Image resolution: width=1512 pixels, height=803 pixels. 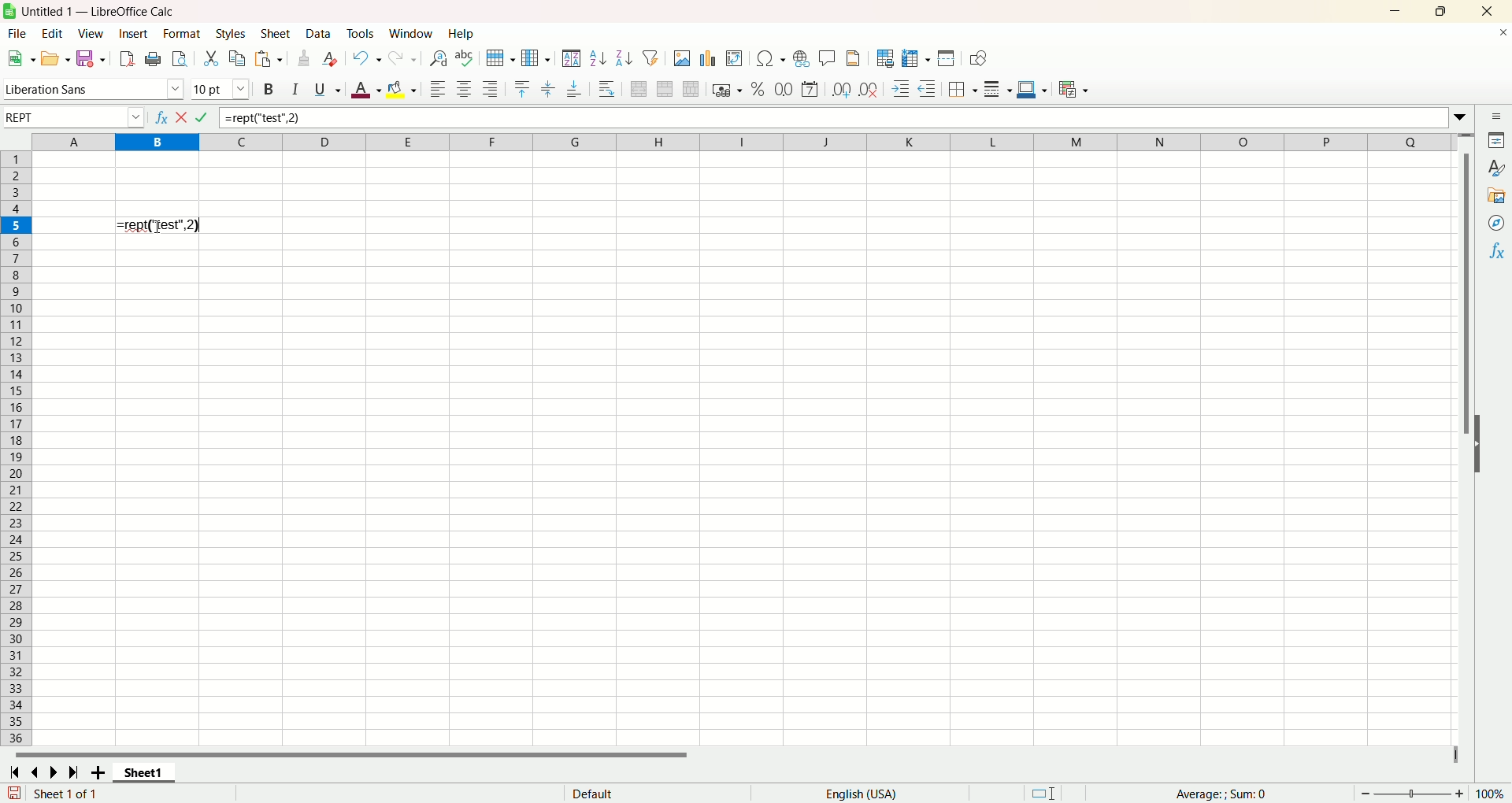 What do you see at coordinates (54, 59) in the screenshot?
I see `open` at bounding box center [54, 59].